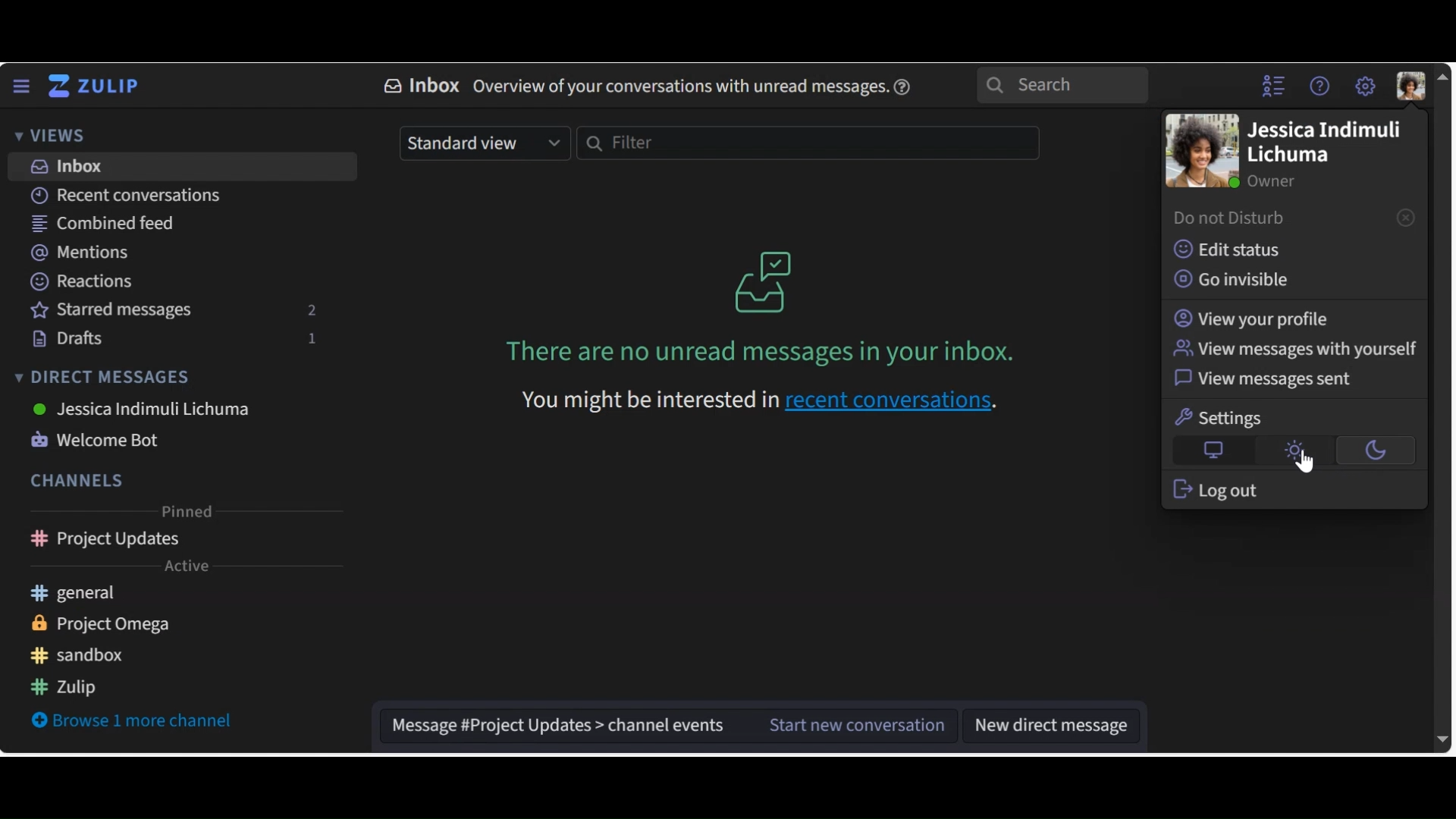  Describe the element at coordinates (1443, 409) in the screenshot. I see `vertical scrollbar` at that location.